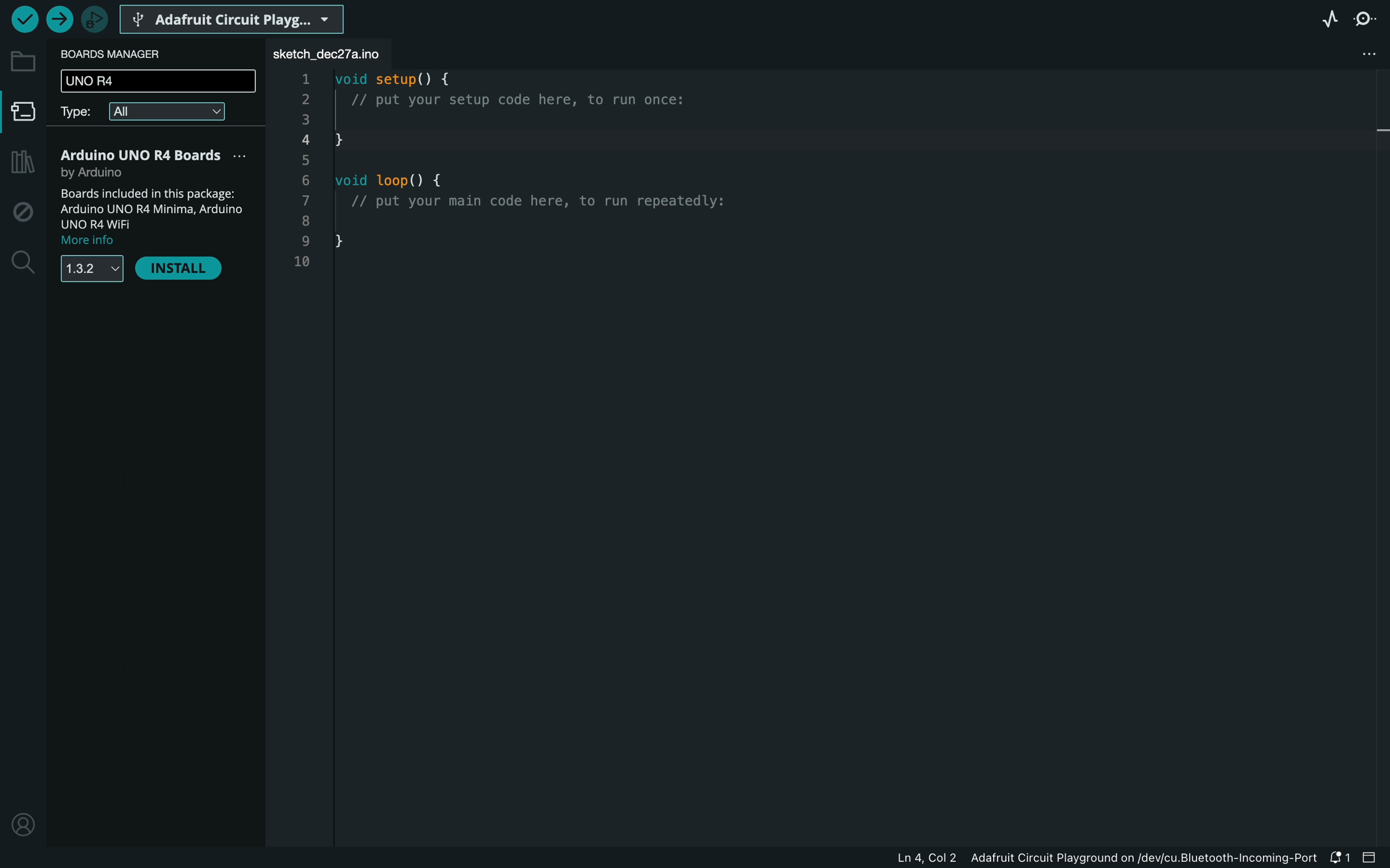 Image resolution: width=1390 pixels, height=868 pixels. What do you see at coordinates (23, 20) in the screenshot?
I see `verify` at bounding box center [23, 20].